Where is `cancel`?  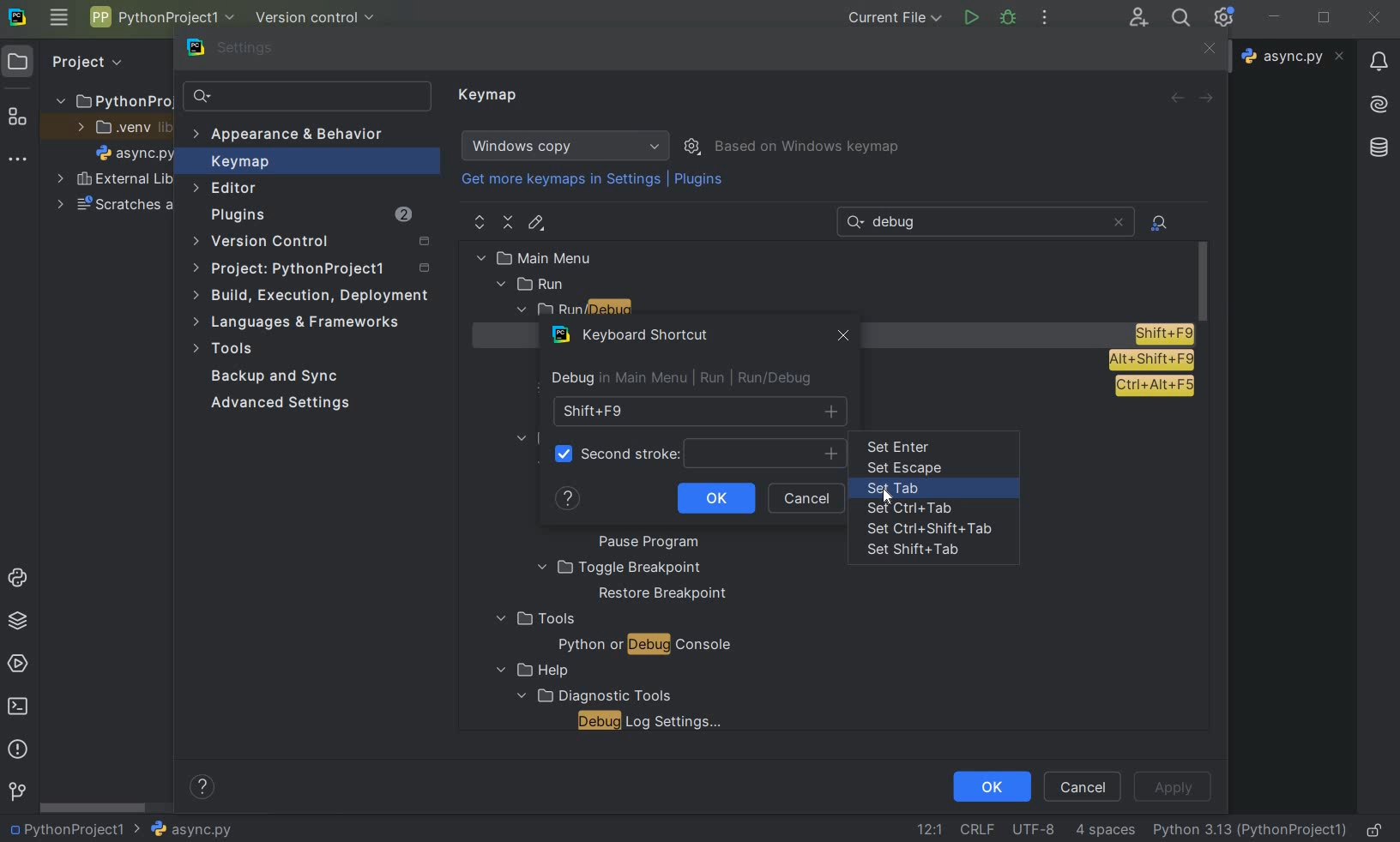
cancel is located at coordinates (809, 499).